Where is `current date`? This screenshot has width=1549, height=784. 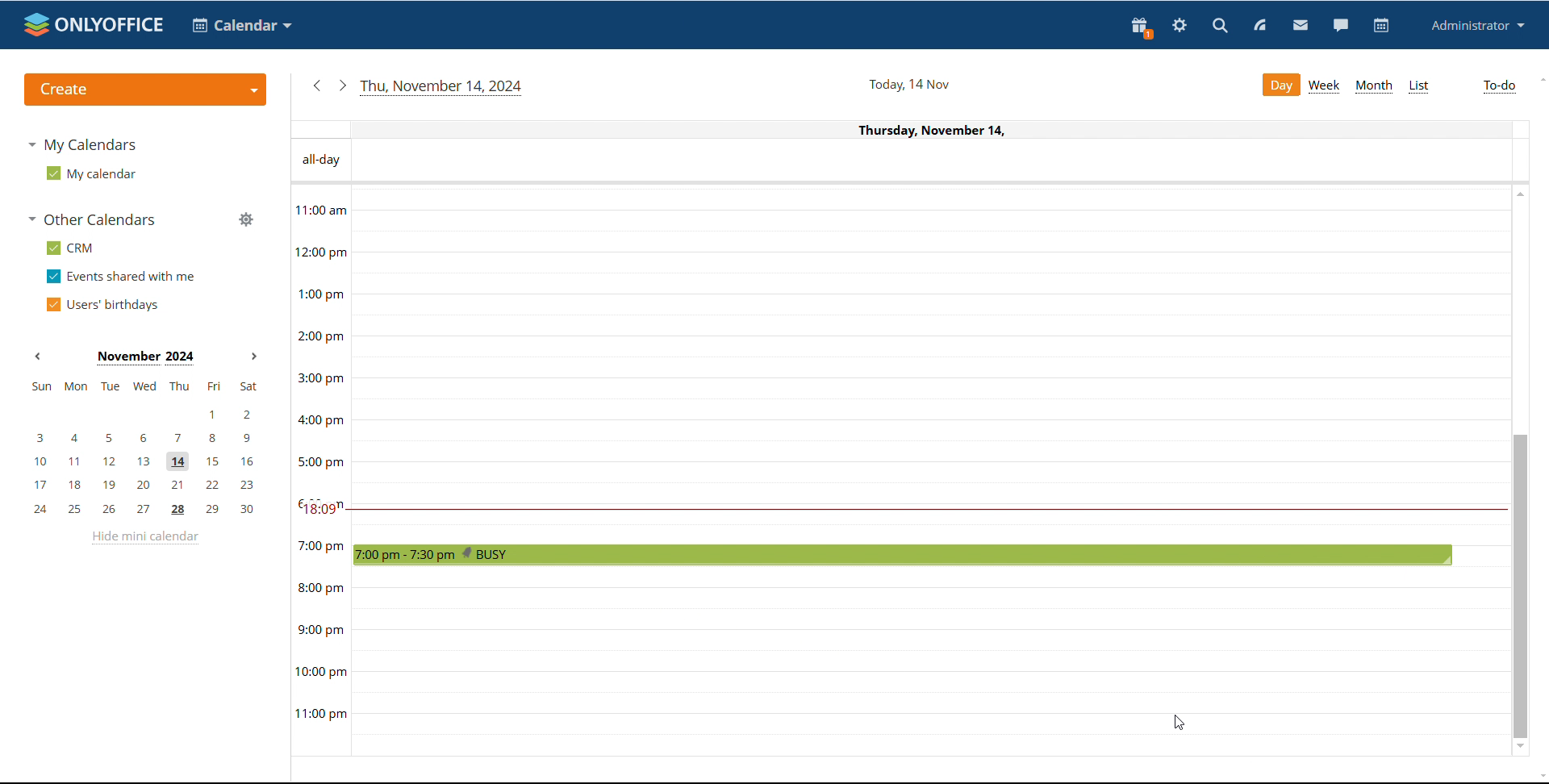
current date is located at coordinates (443, 88).